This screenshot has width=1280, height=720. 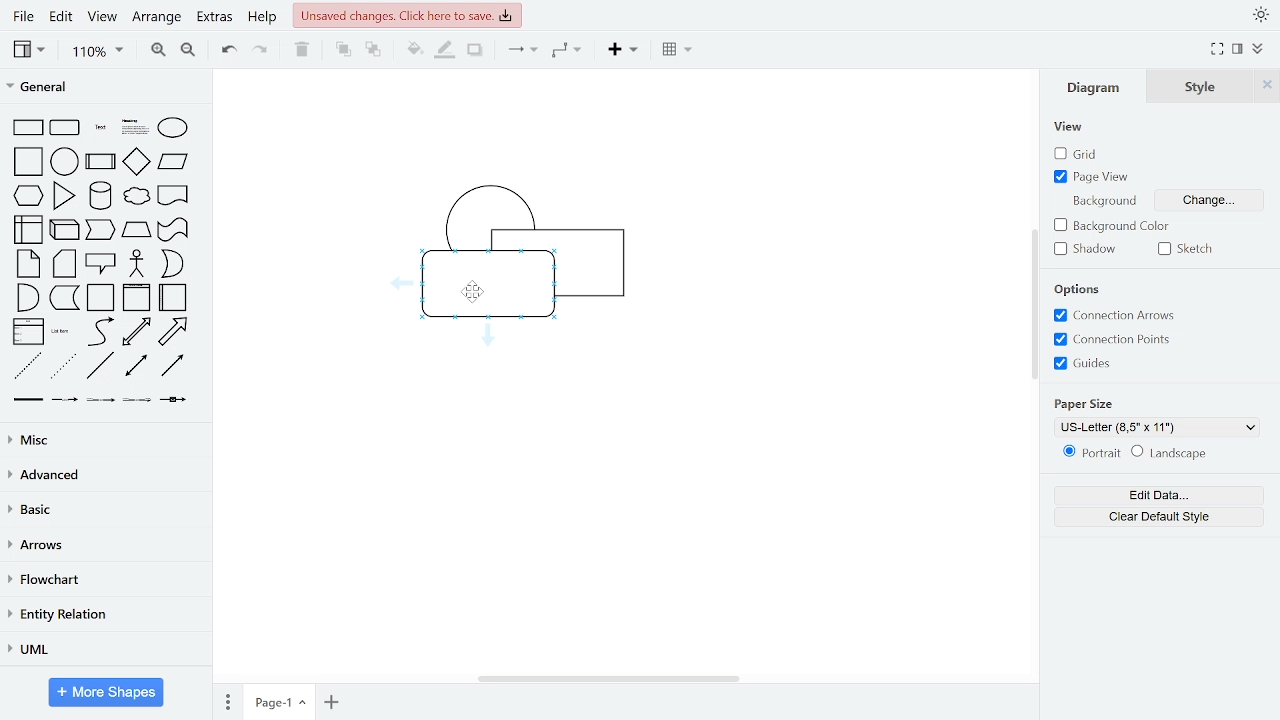 What do you see at coordinates (407, 17) in the screenshot?
I see `unsaved changes. Click here to save` at bounding box center [407, 17].